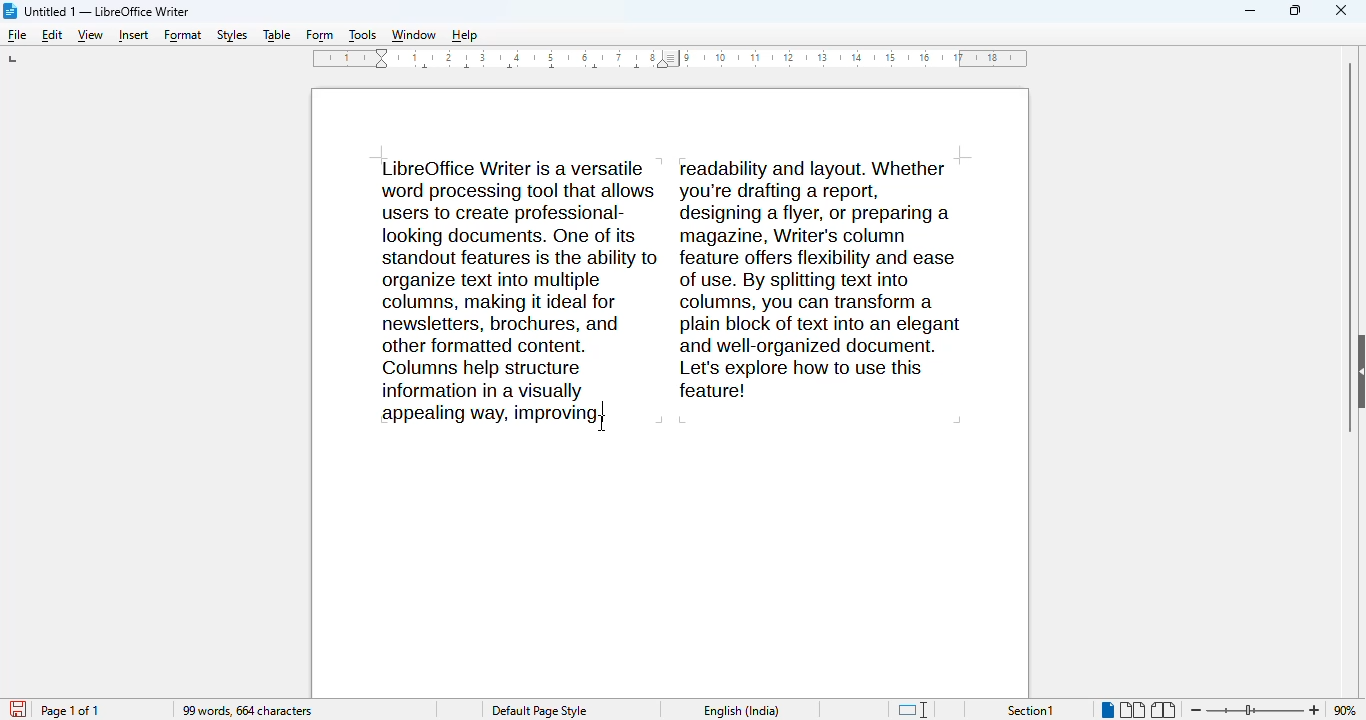 Image resolution: width=1366 pixels, height=720 pixels. Describe the element at coordinates (1251, 11) in the screenshot. I see `minimize` at that location.